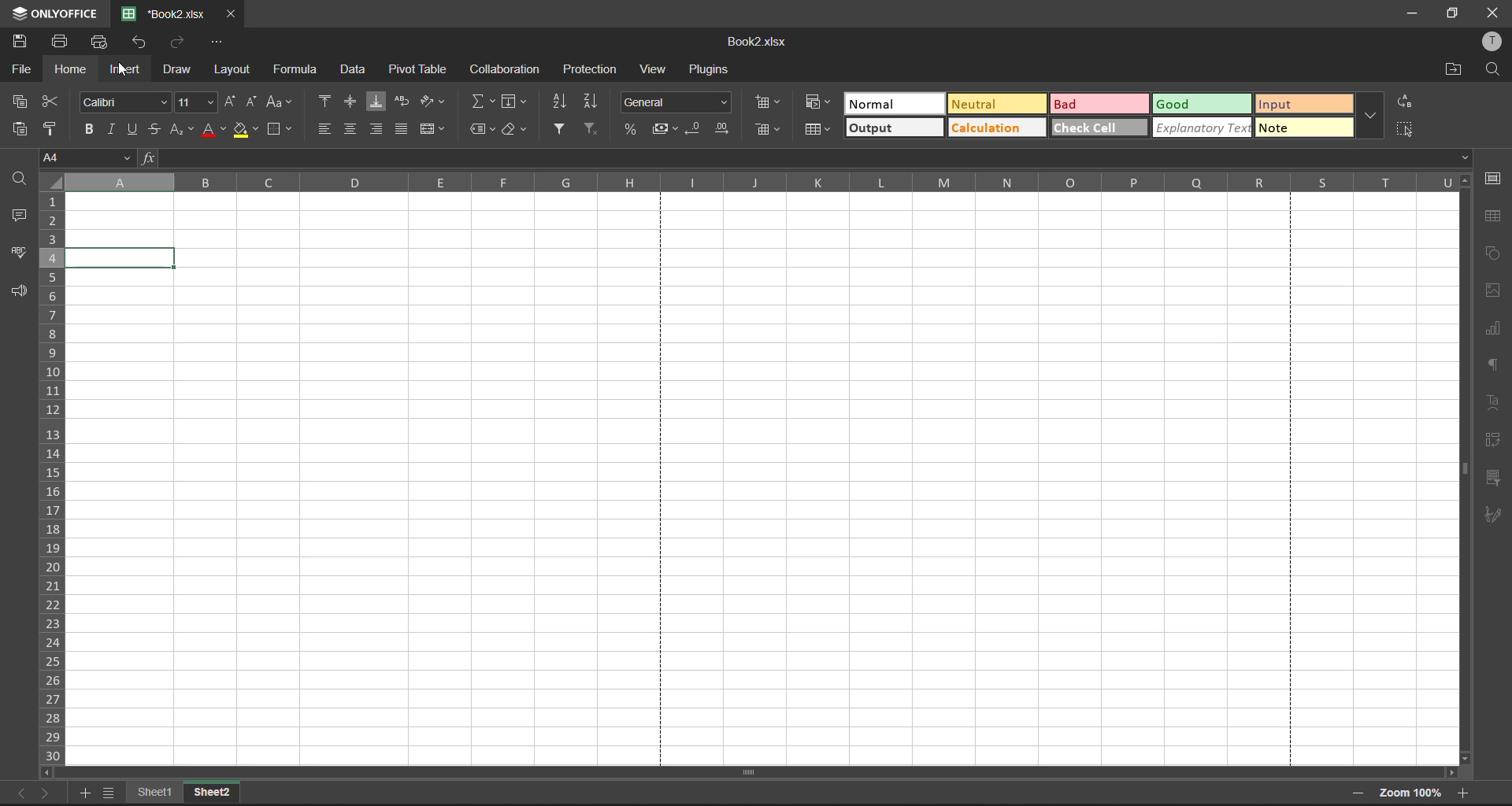  I want to click on decrement size, so click(251, 102).